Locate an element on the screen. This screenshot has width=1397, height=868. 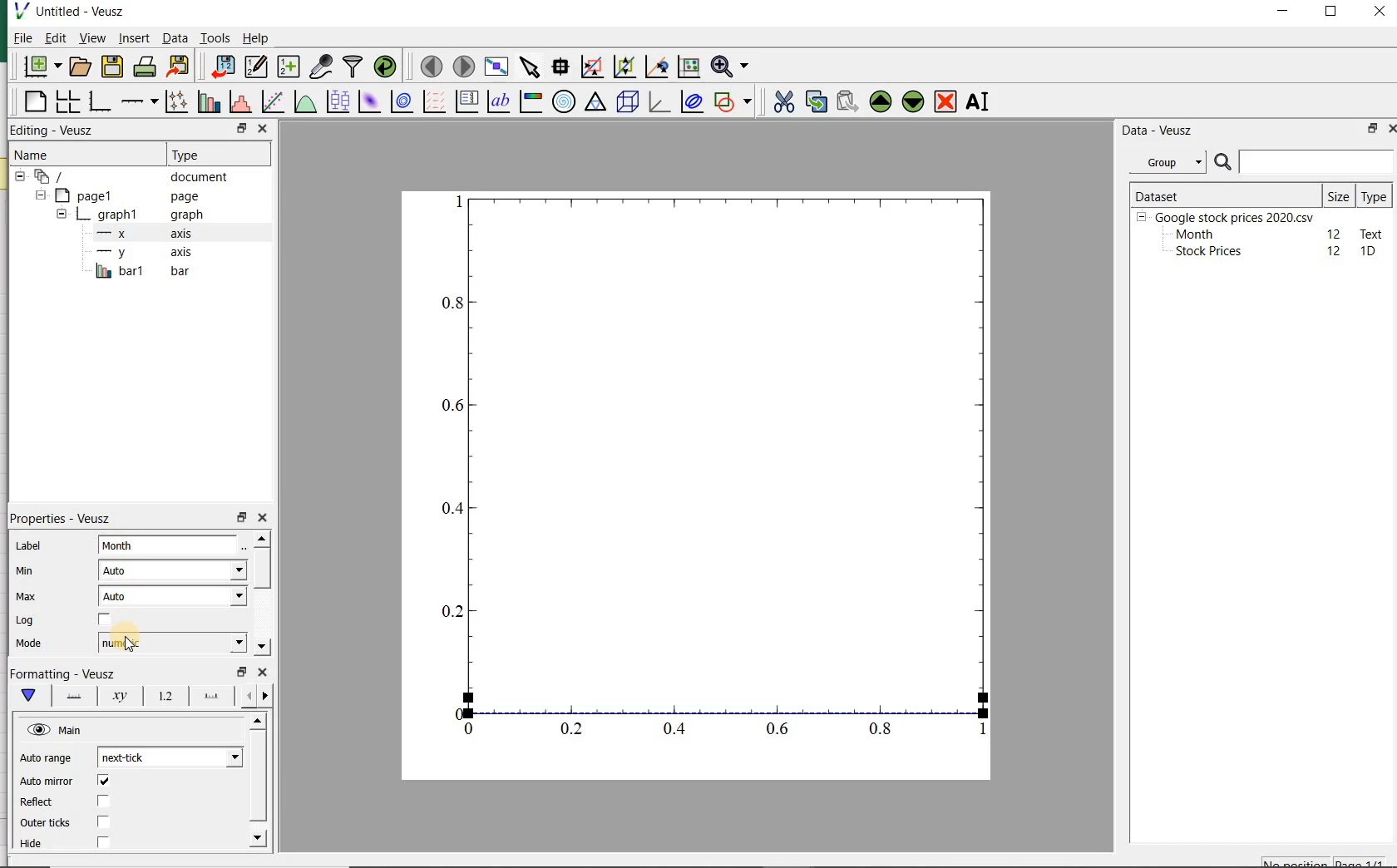
restore is located at coordinates (243, 518).